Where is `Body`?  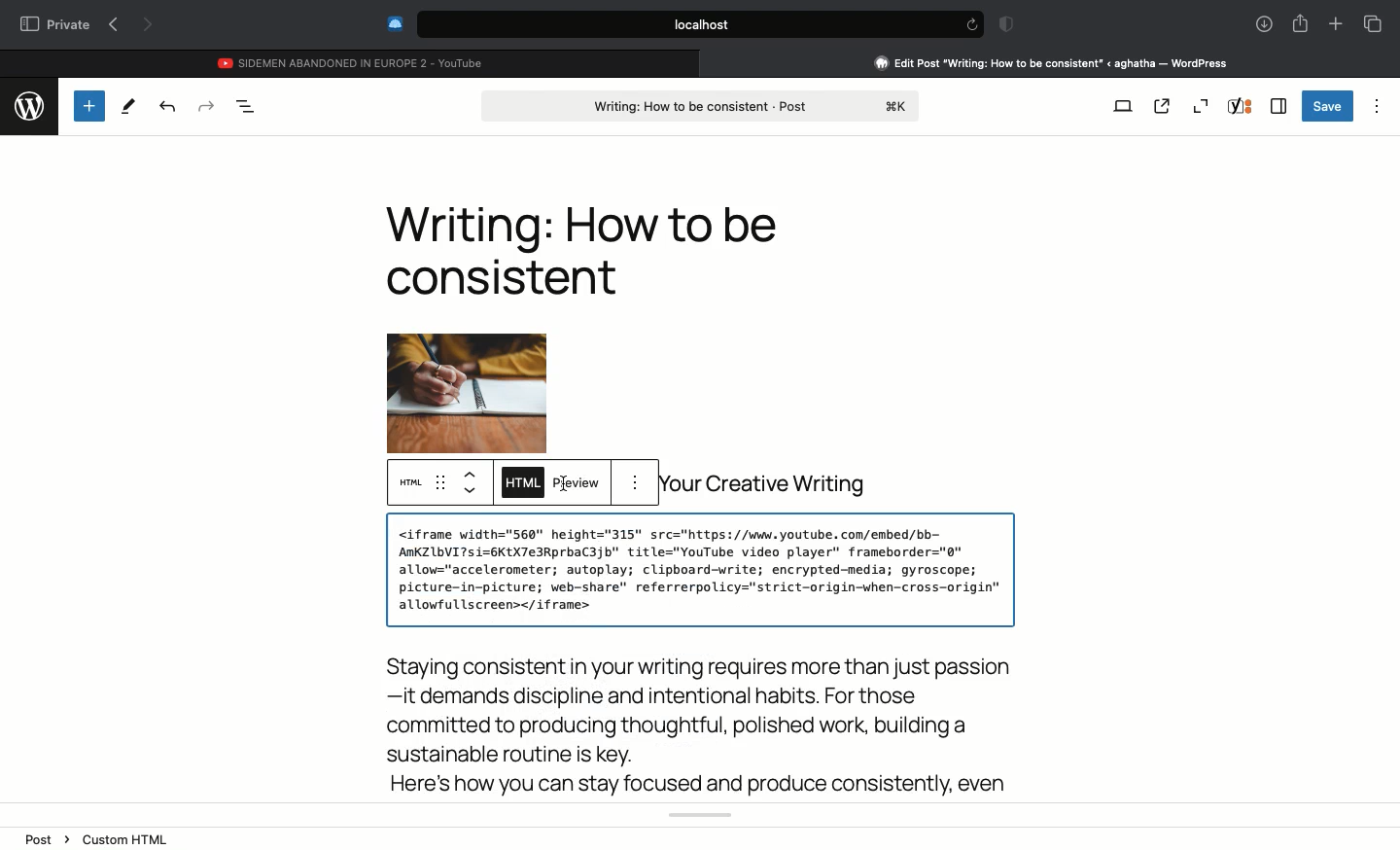
Body is located at coordinates (698, 723).